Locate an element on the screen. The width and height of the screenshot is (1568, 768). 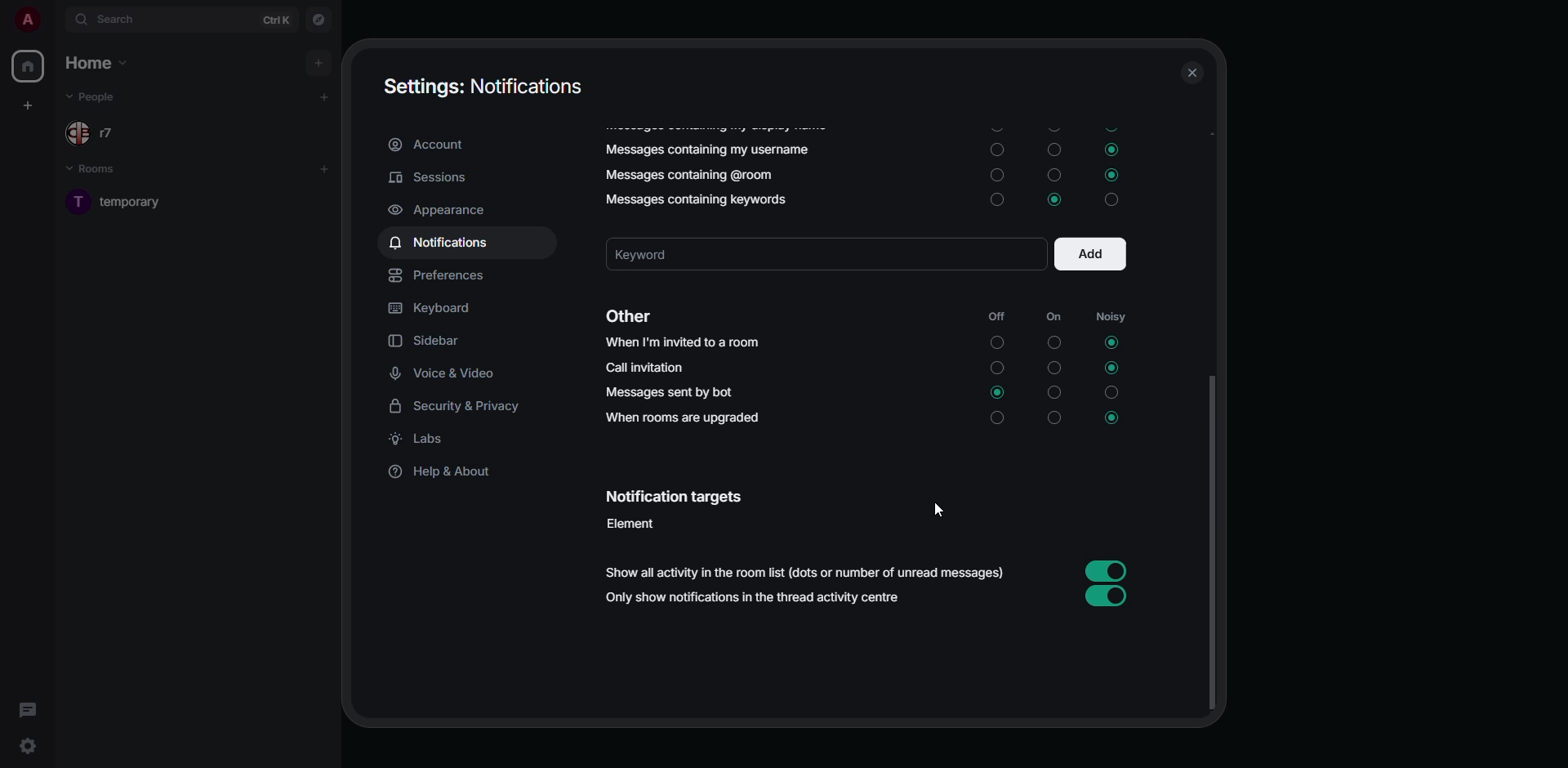
On is located at coordinates (1052, 126).